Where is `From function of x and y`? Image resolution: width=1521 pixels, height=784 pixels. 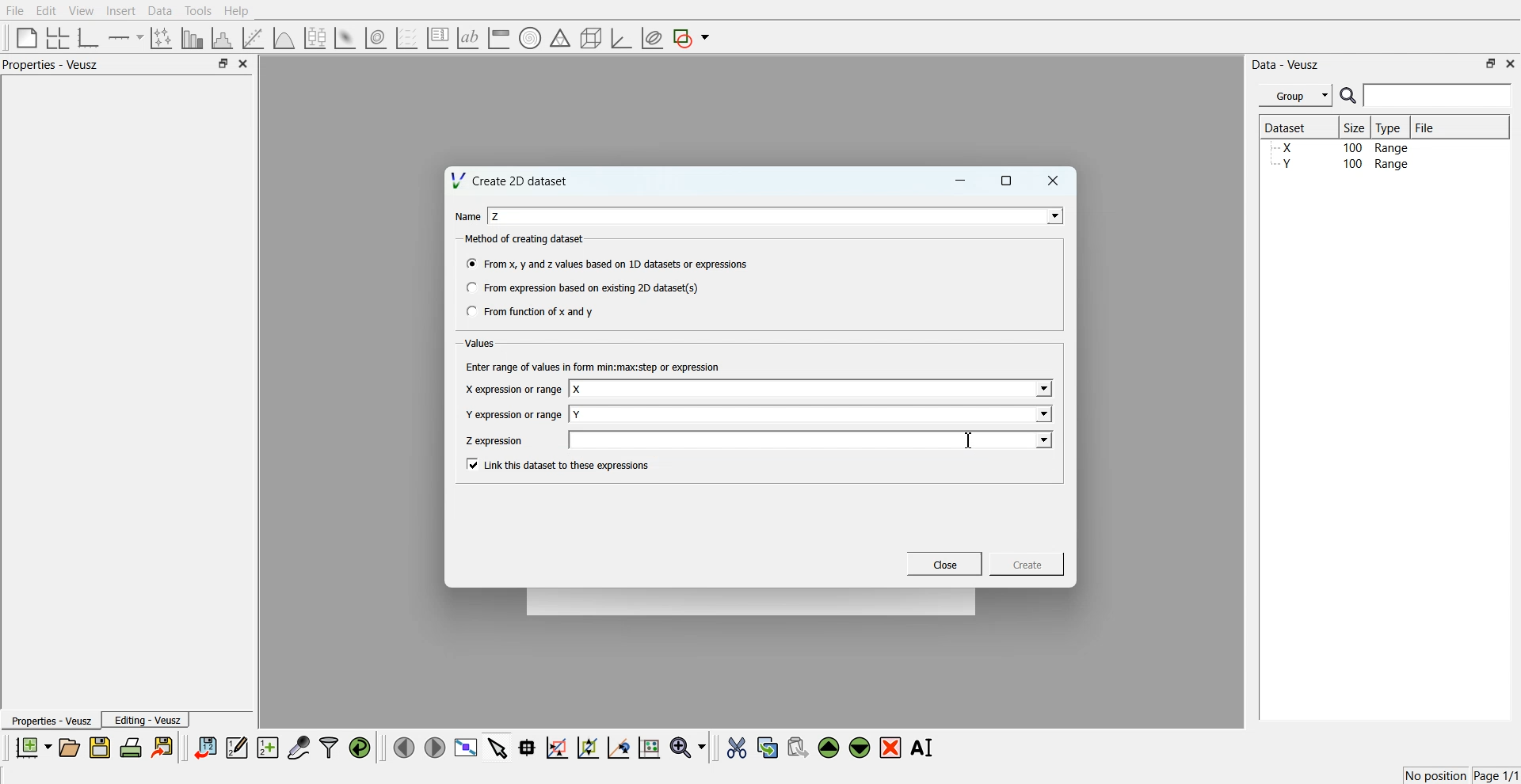 From function of x and y is located at coordinates (532, 310).